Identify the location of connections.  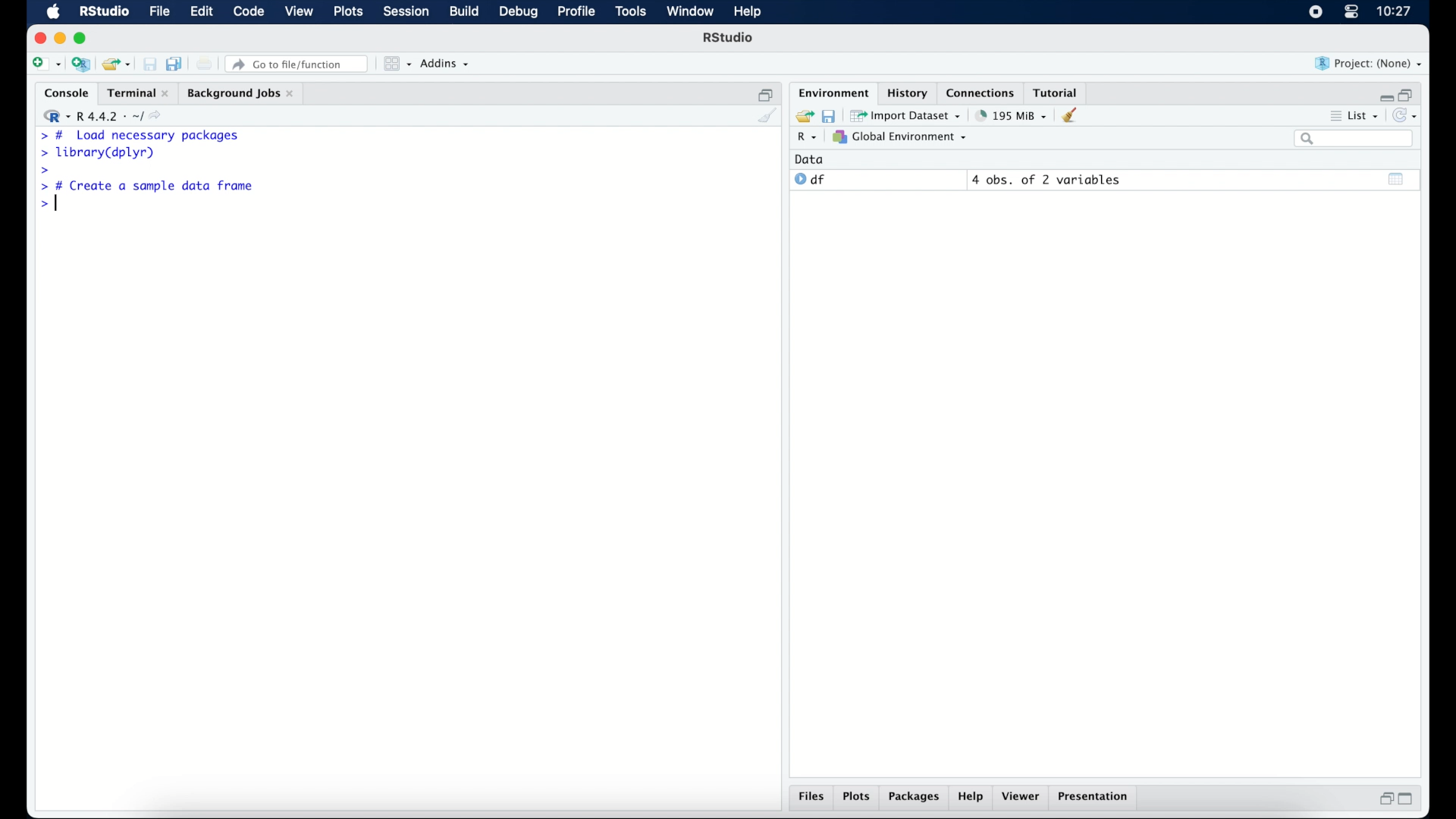
(982, 92).